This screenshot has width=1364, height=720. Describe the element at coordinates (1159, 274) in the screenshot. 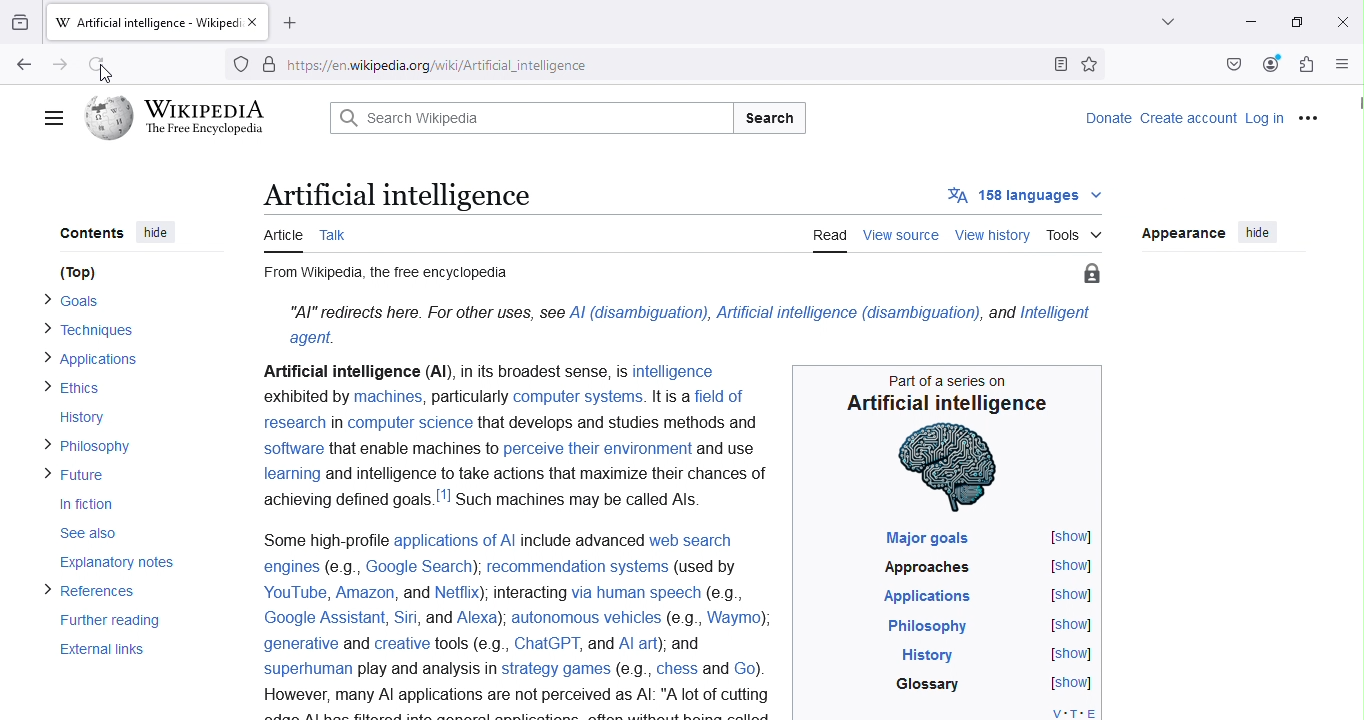

I see `Text` at that location.